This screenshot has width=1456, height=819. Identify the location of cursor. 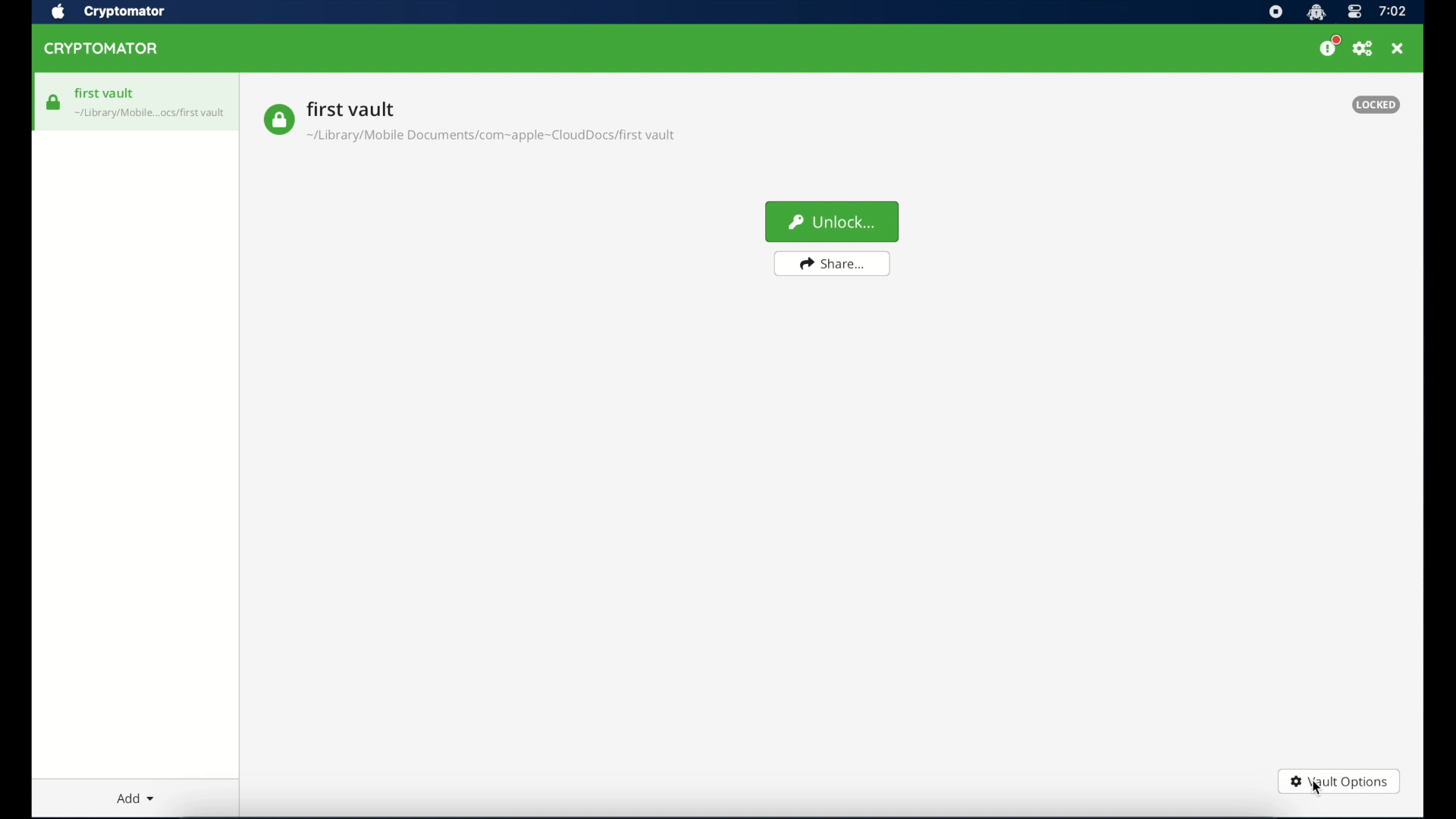
(1317, 790).